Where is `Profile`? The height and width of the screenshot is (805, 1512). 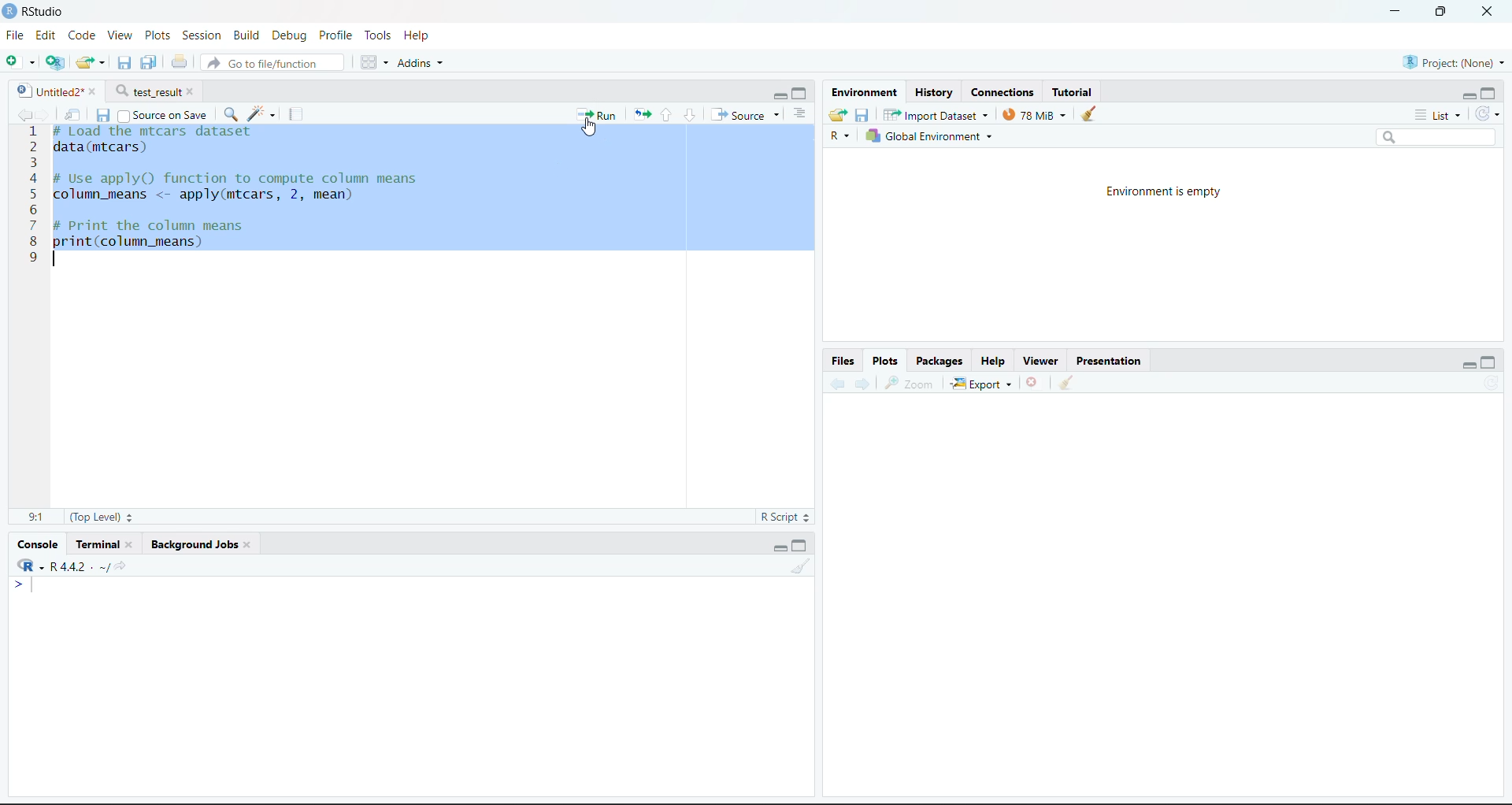
Profile is located at coordinates (338, 34).